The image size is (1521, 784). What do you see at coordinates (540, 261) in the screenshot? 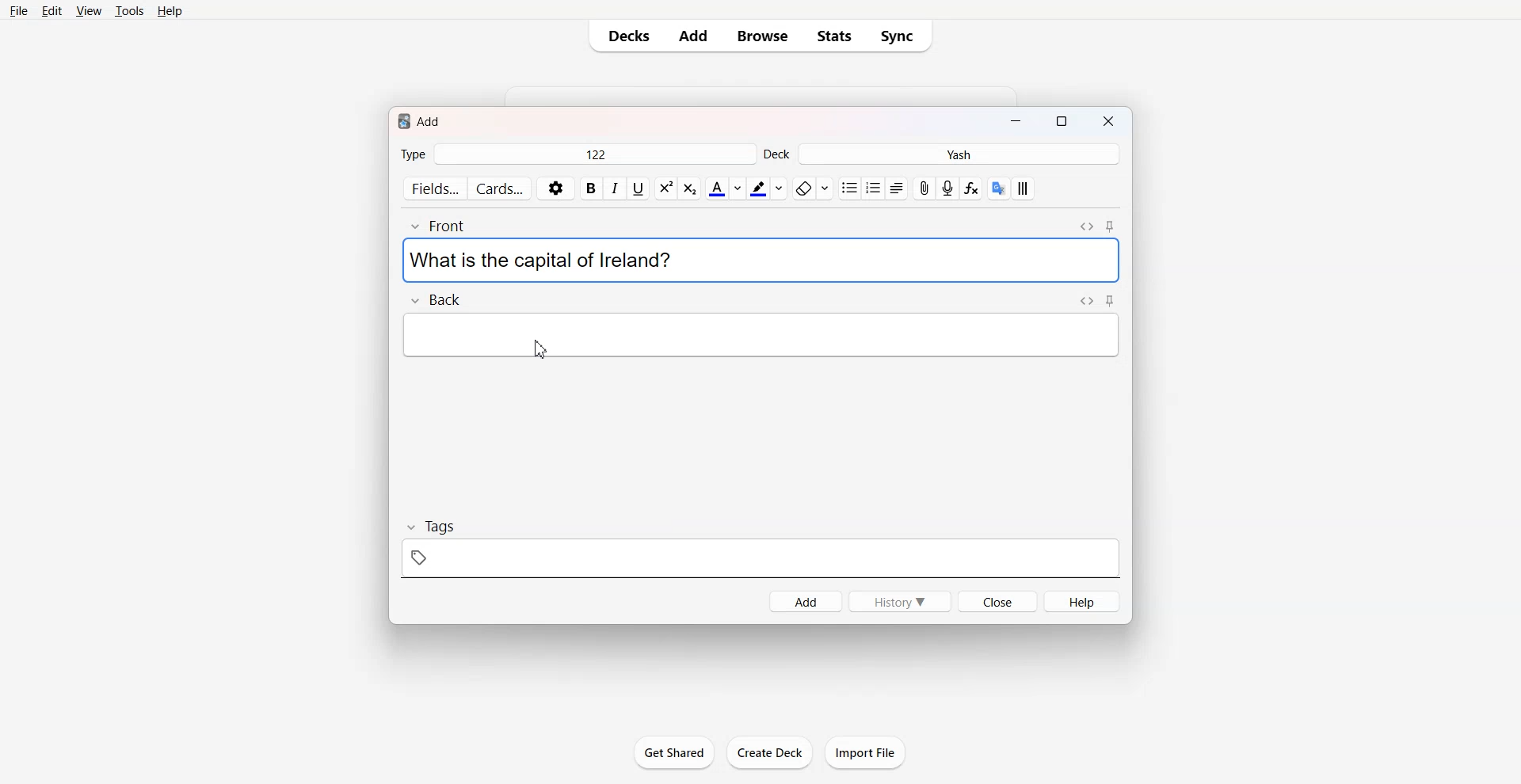
I see `Text` at bounding box center [540, 261].